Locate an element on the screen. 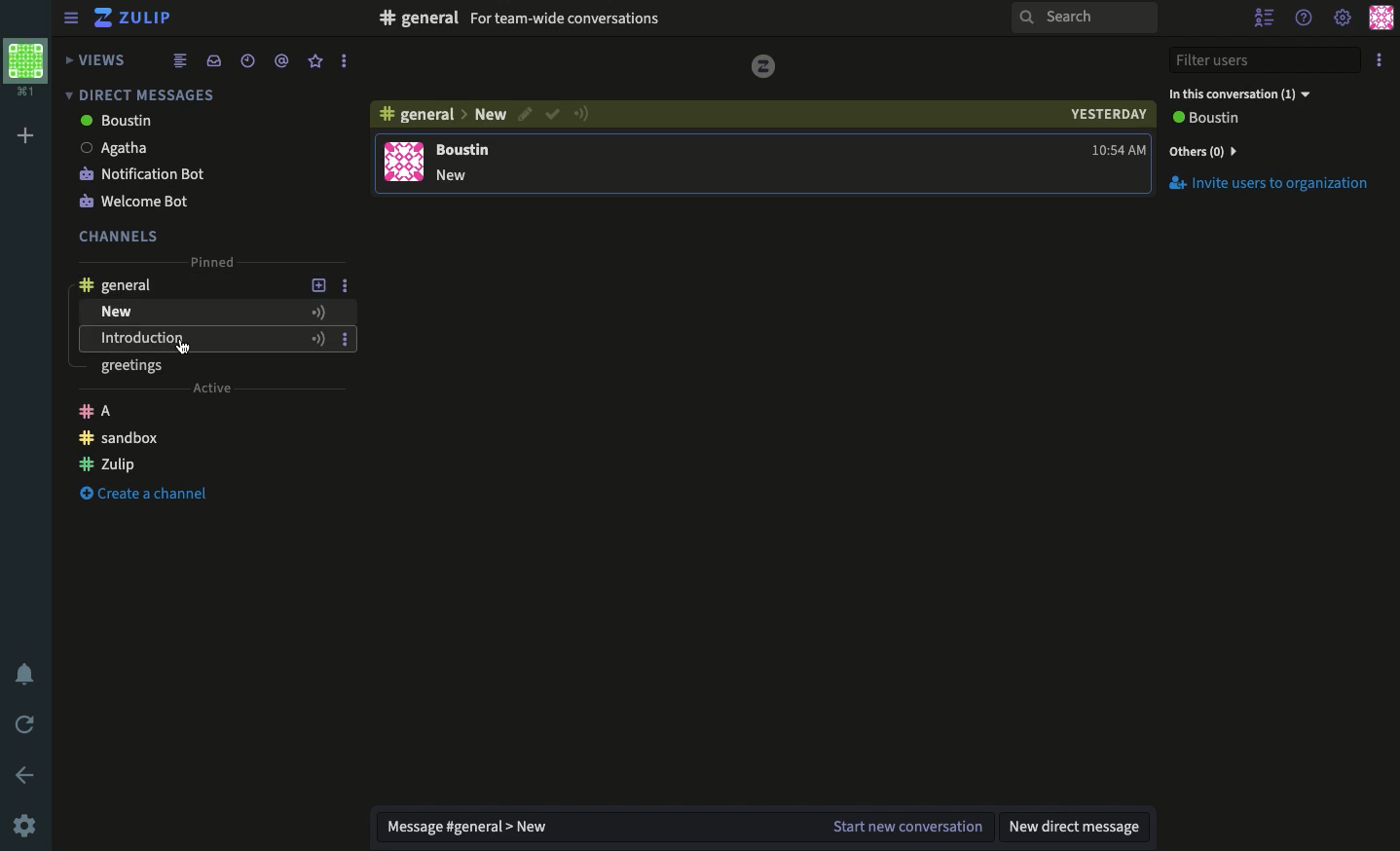  Refresh is located at coordinates (26, 722).